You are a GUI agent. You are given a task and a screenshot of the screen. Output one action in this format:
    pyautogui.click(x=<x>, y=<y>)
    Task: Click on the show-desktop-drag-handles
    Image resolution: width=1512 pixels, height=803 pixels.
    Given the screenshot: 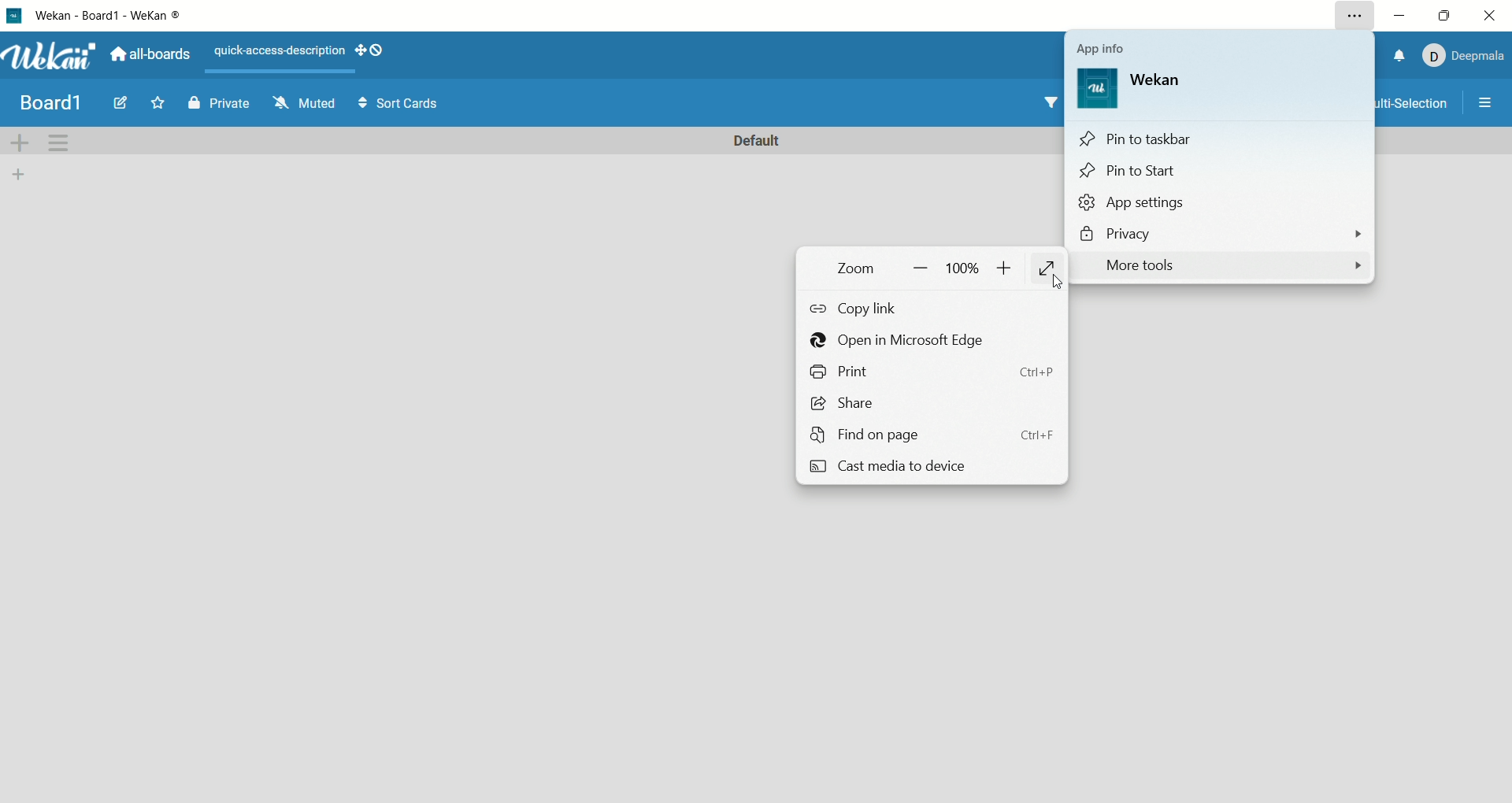 What is the action you would take?
    pyautogui.click(x=376, y=50)
    